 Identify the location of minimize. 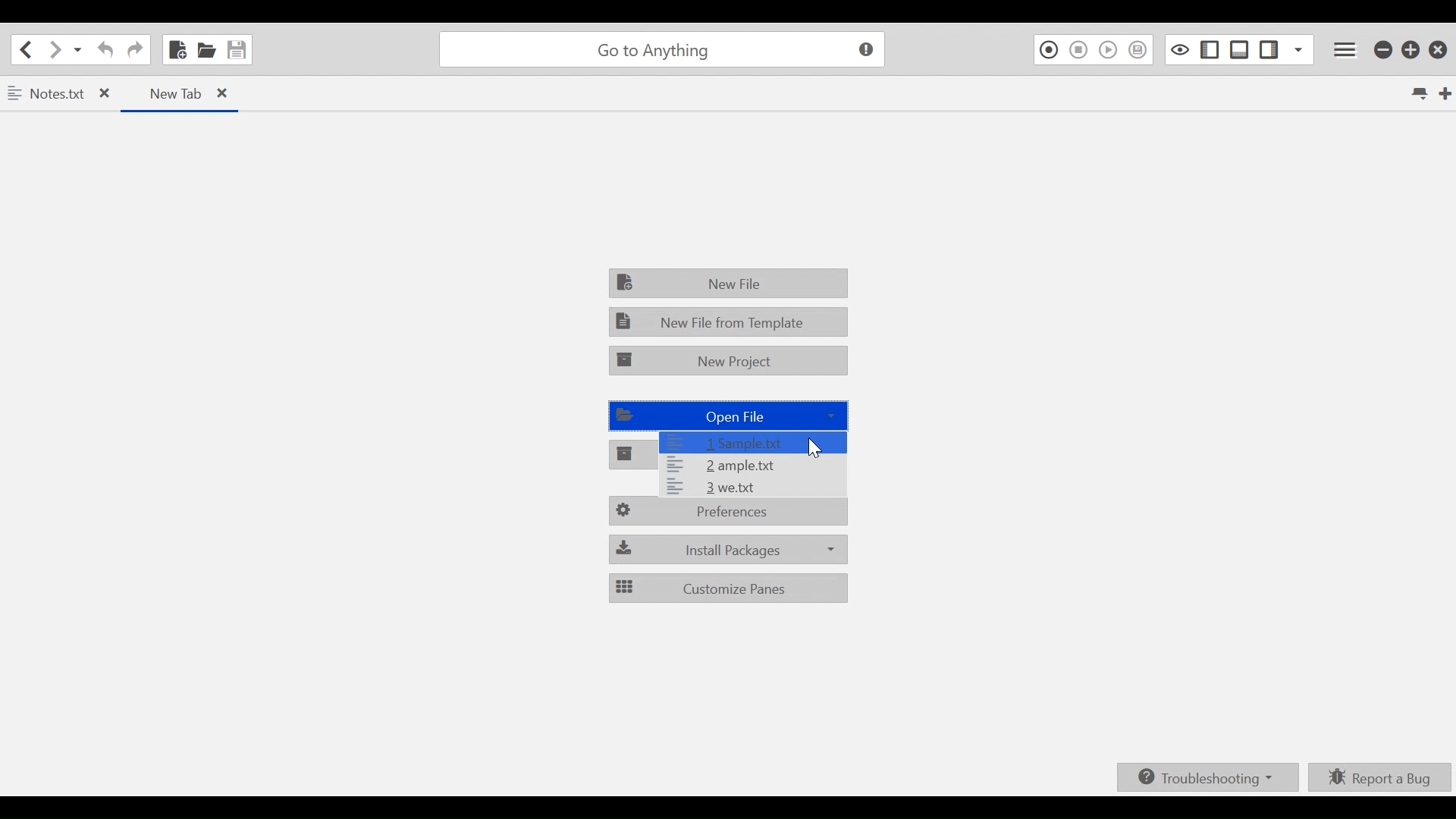
(1384, 51).